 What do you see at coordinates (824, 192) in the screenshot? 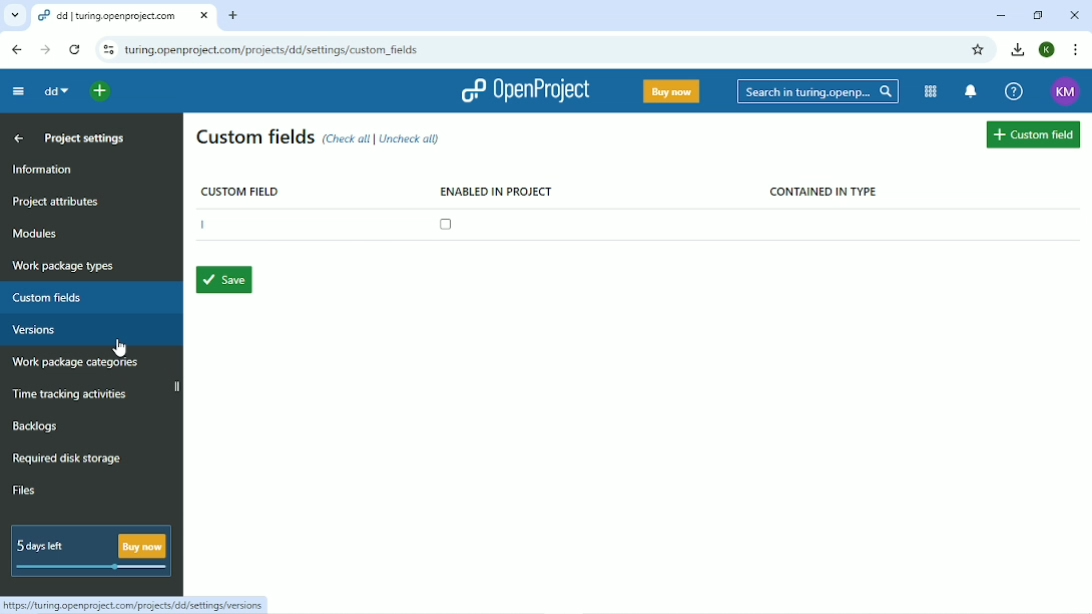
I see `Contained in type` at bounding box center [824, 192].